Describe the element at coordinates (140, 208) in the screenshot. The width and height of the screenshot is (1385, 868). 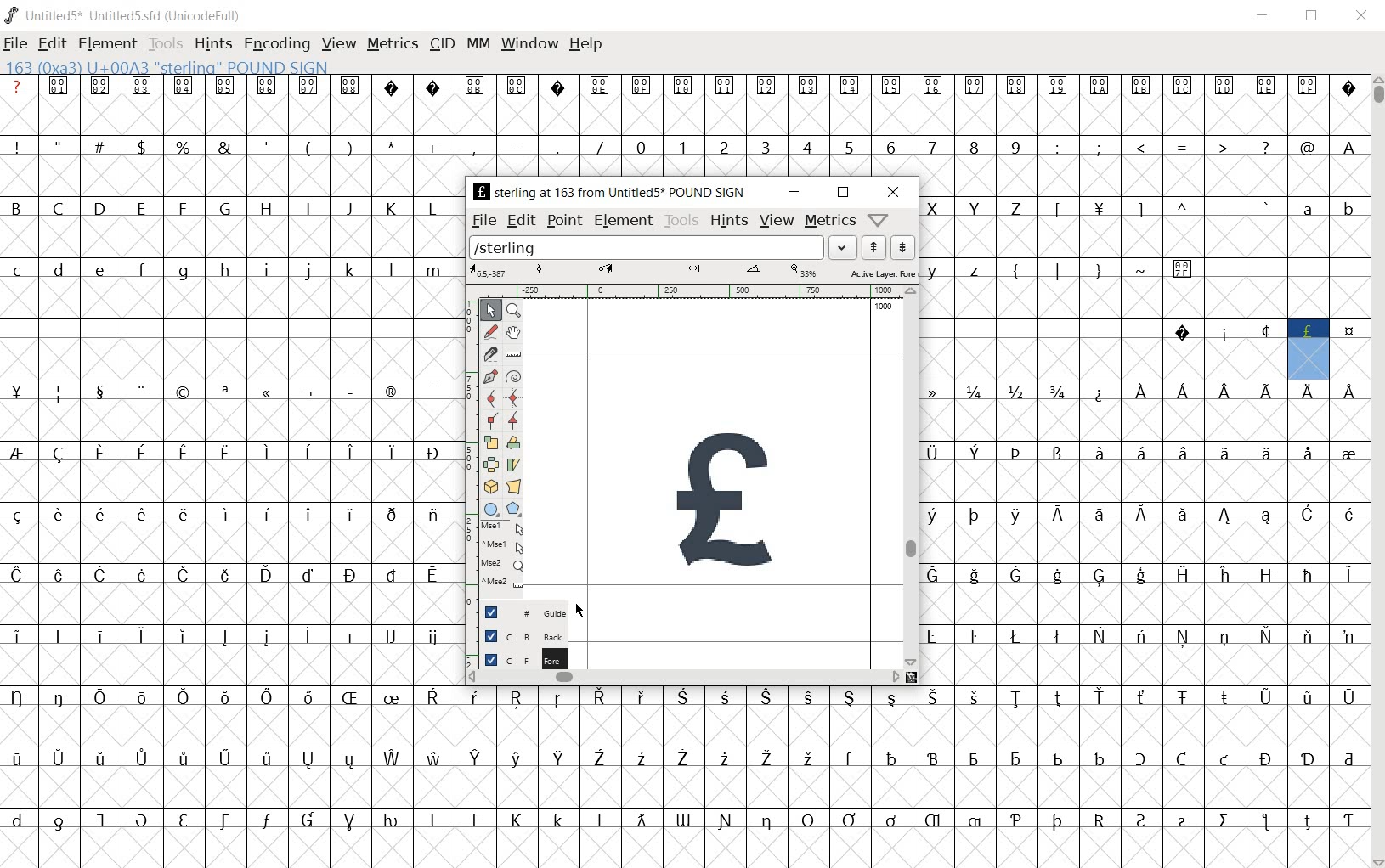
I see `E` at that location.